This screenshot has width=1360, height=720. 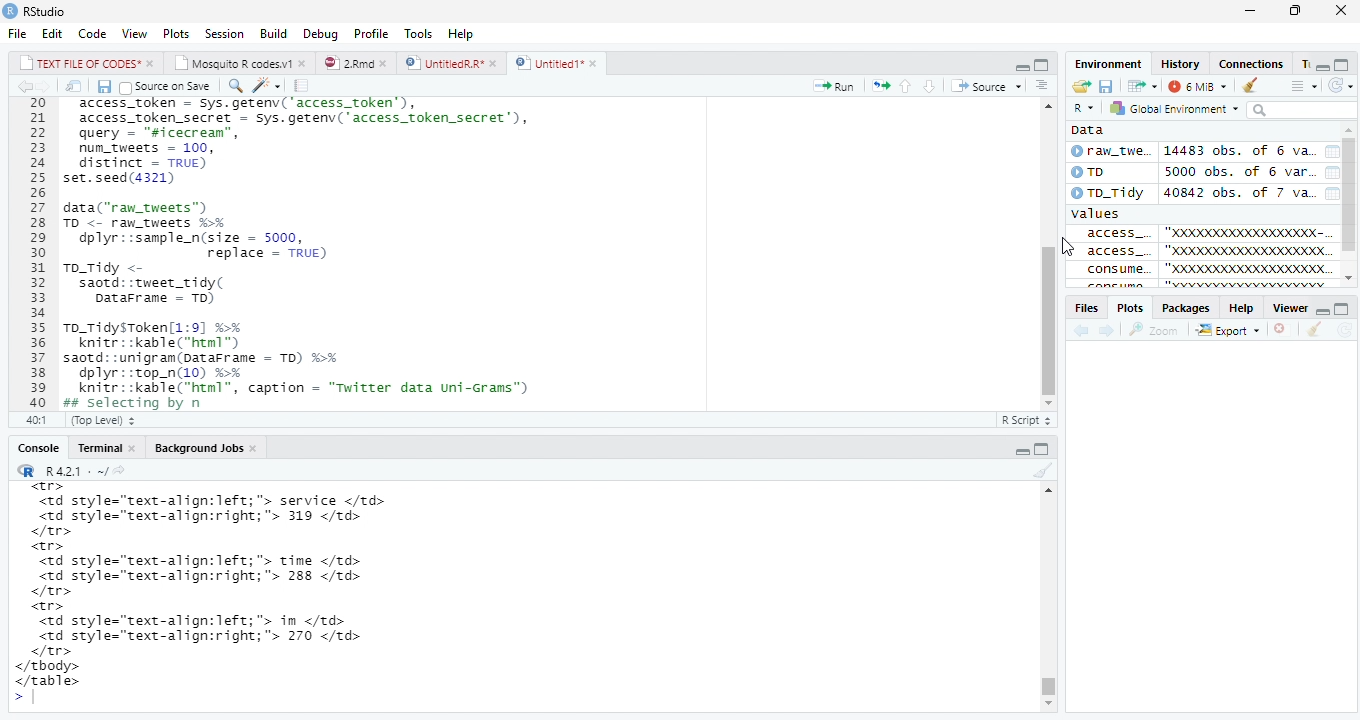 I want to click on Run, so click(x=833, y=85).